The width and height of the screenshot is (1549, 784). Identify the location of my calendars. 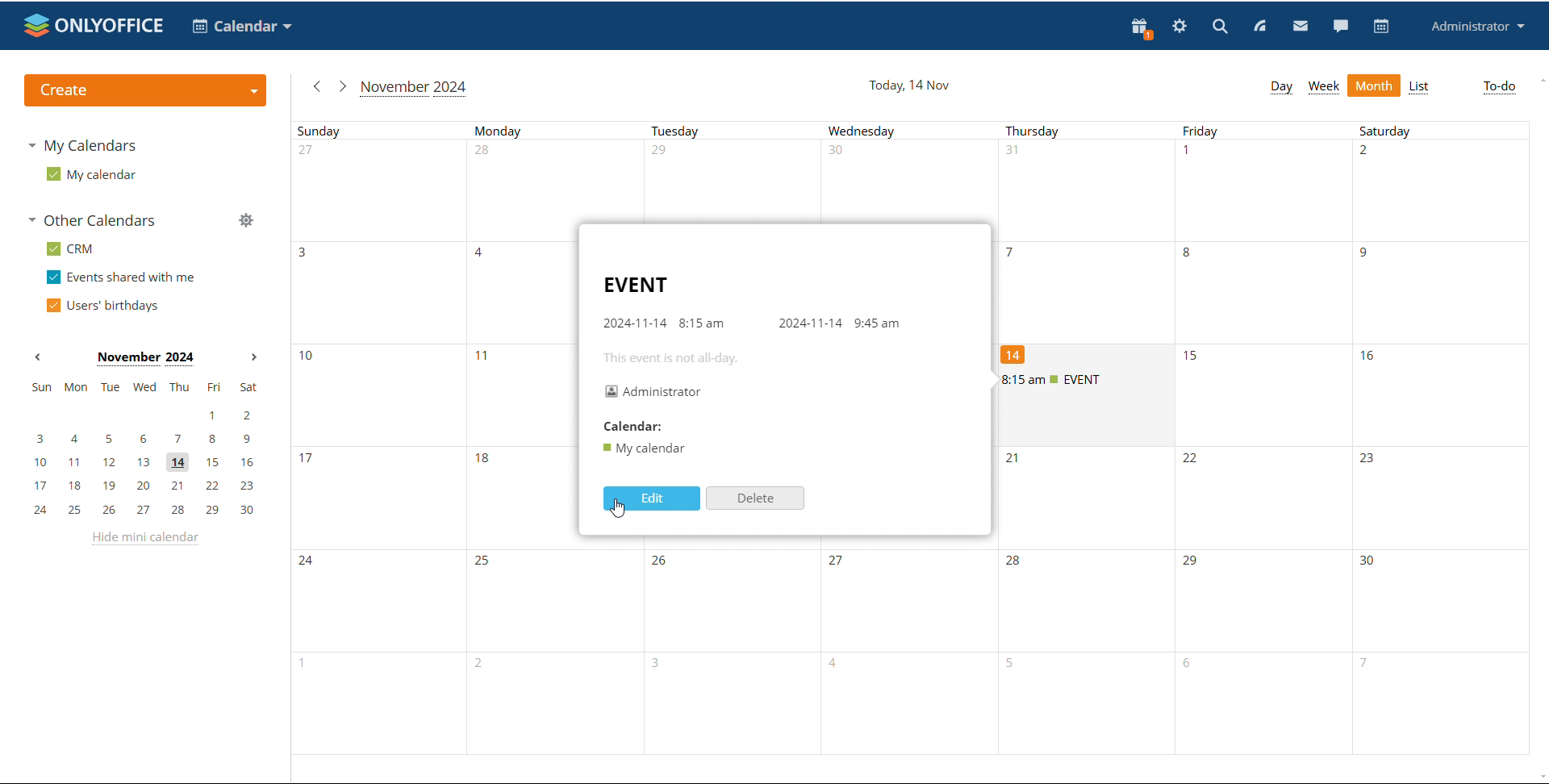
(81, 147).